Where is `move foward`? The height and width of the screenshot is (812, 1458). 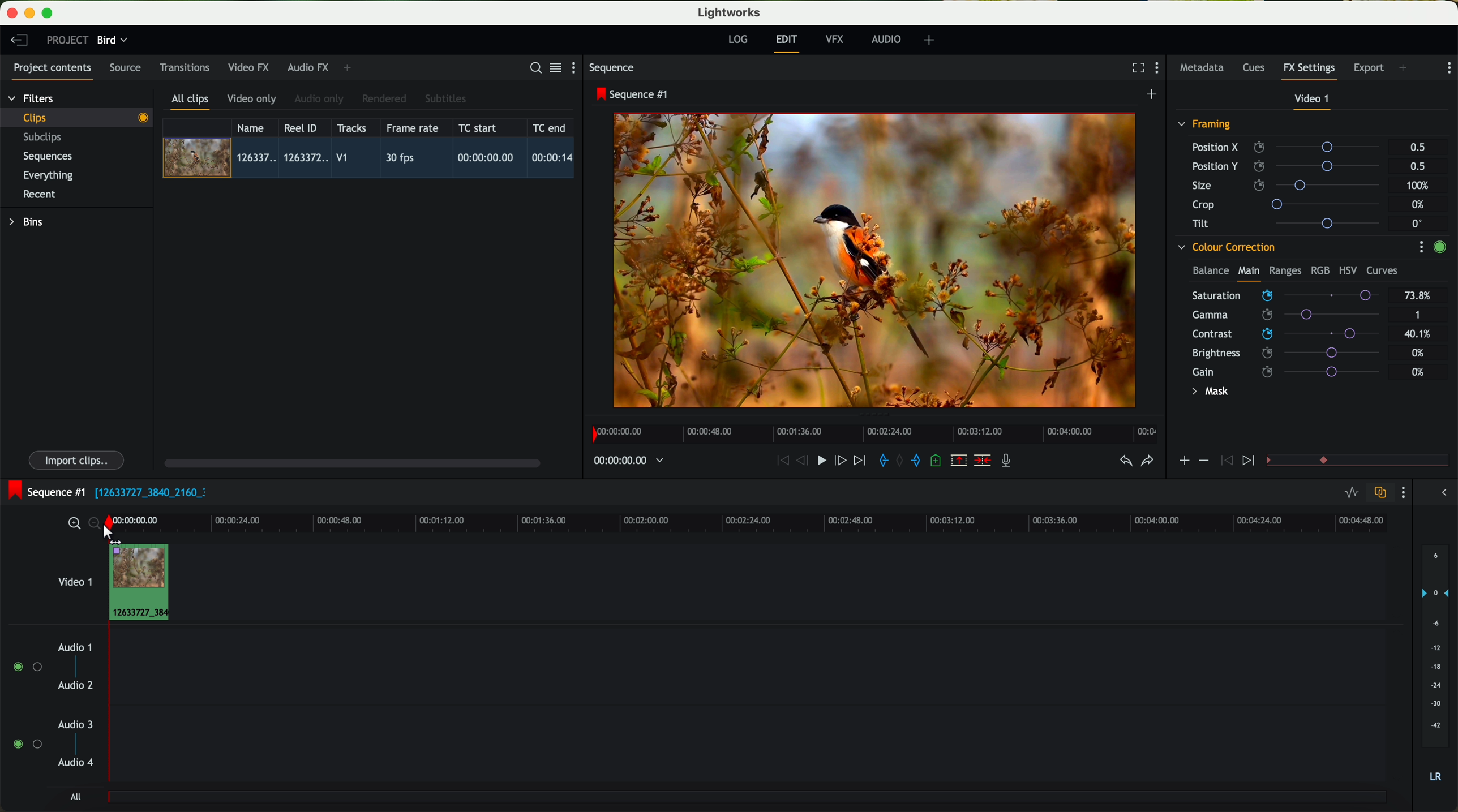
move foward is located at coordinates (859, 461).